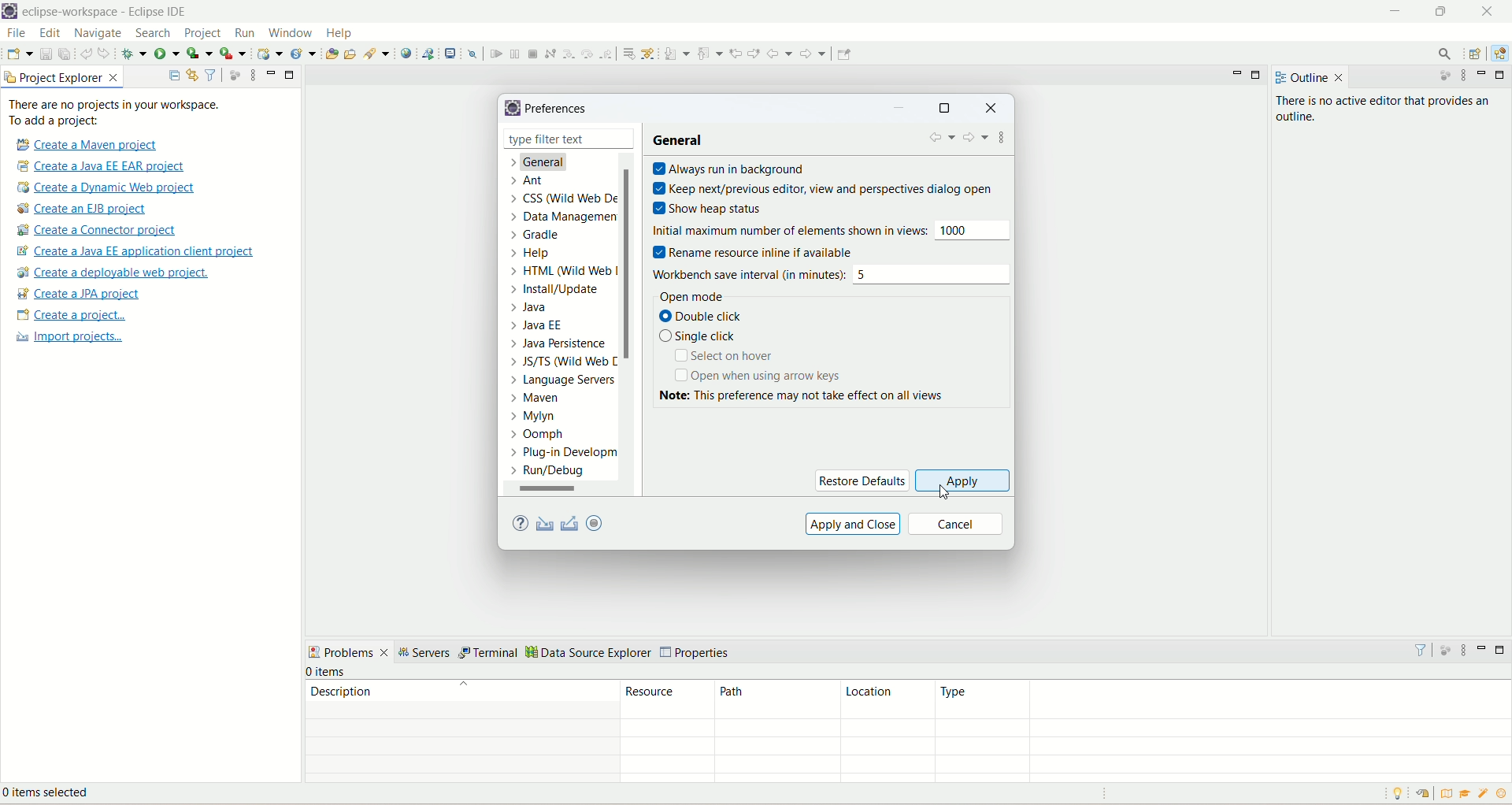 The height and width of the screenshot is (805, 1512). What do you see at coordinates (944, 109) in the screenshot?
I see `maximize` at bounding box center [944, 109].